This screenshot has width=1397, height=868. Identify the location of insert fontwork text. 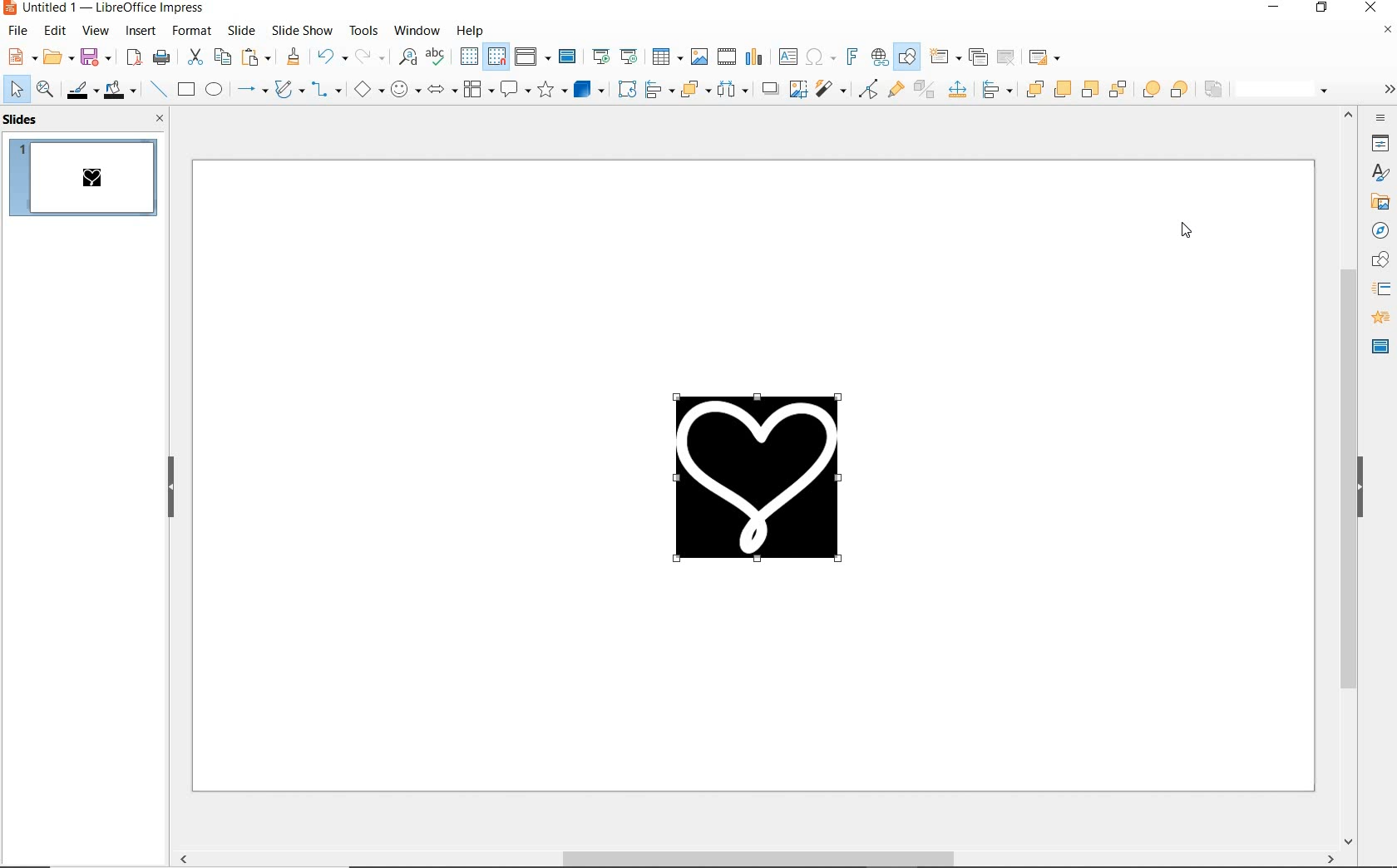
(852, 56).